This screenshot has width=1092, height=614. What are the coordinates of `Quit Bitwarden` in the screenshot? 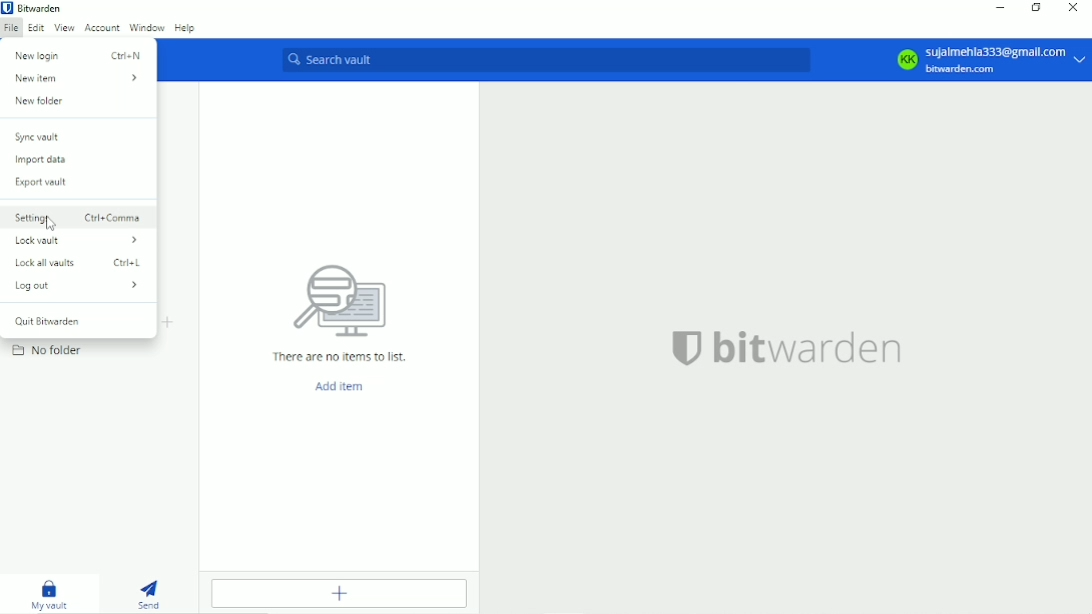 It's located at (53, 321).